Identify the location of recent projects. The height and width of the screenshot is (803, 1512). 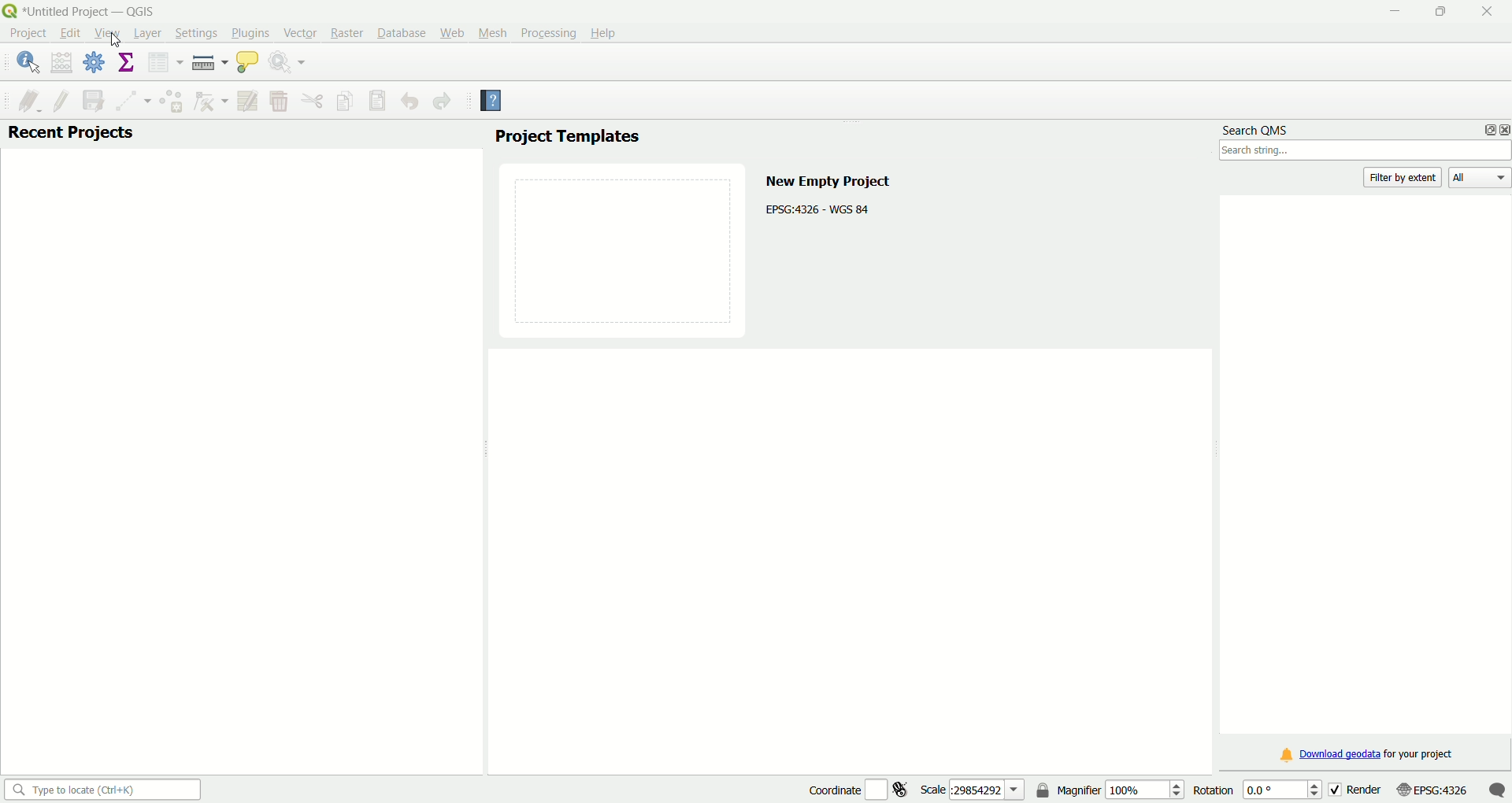
(71, 134).